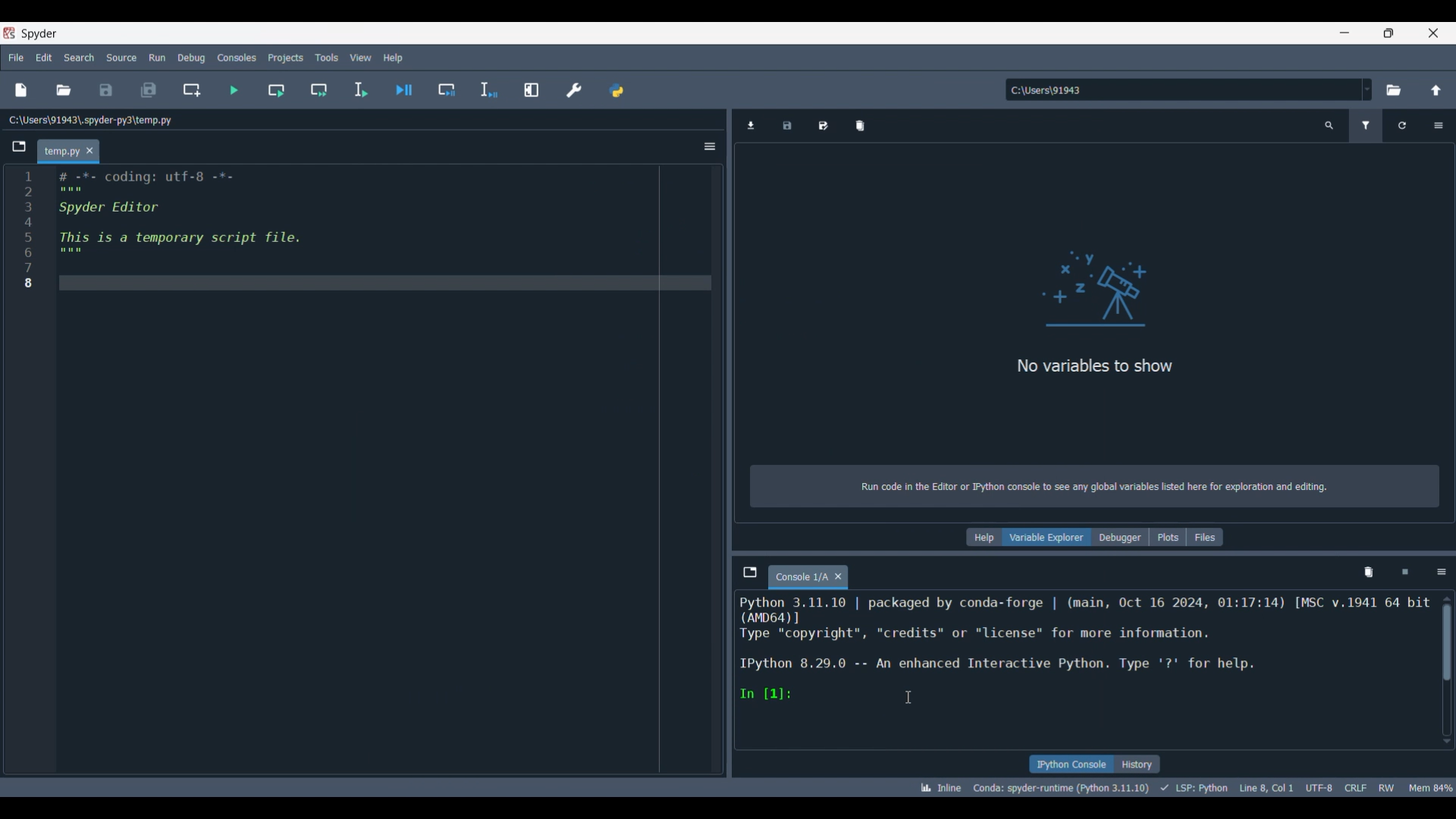 This screenshot has height=819, width=1456. Describe the element at coordinates (1367, 126) in the screenshot. I see `Filter variables` at that location.